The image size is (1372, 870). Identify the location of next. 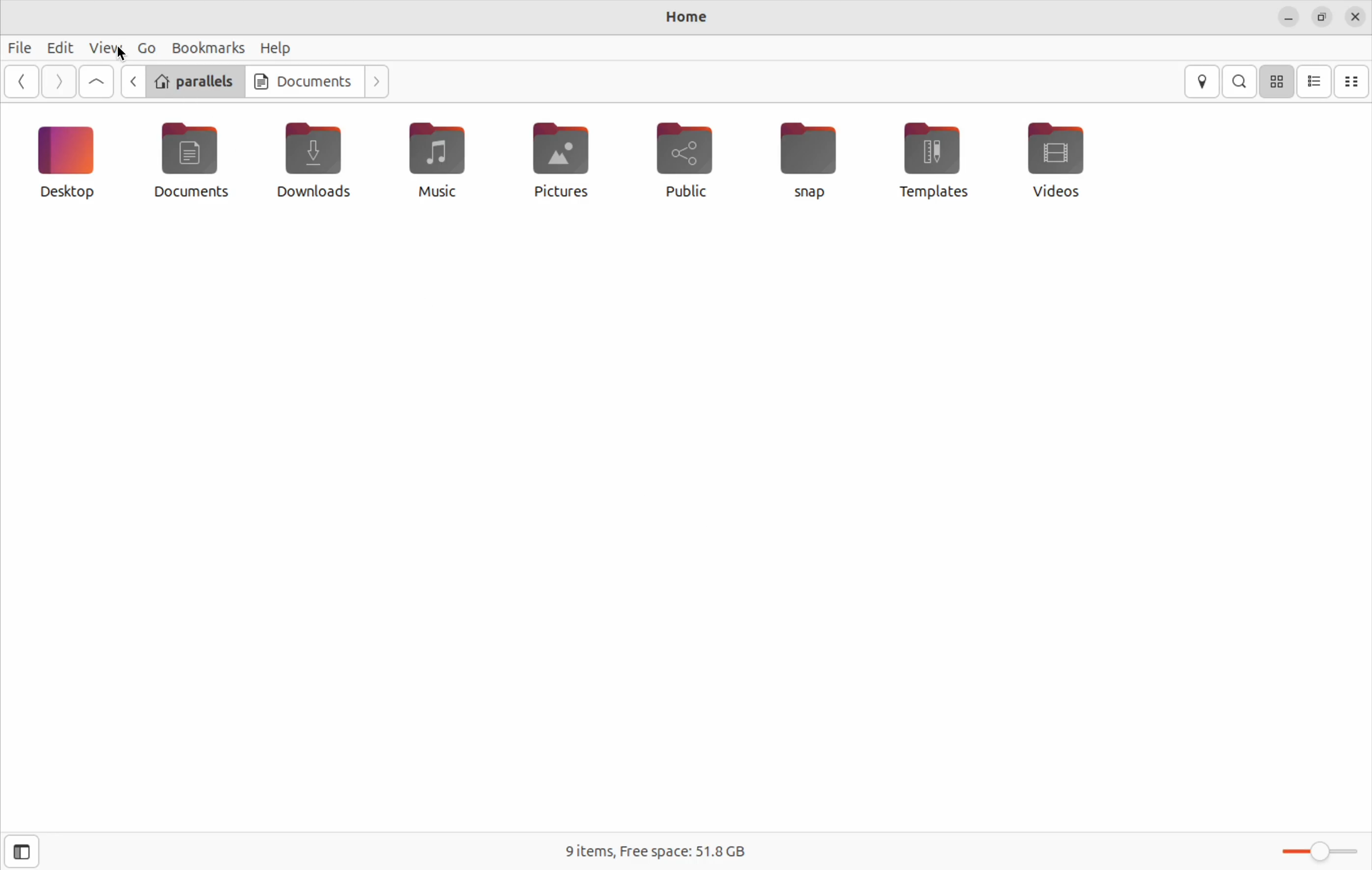
(57, 83).